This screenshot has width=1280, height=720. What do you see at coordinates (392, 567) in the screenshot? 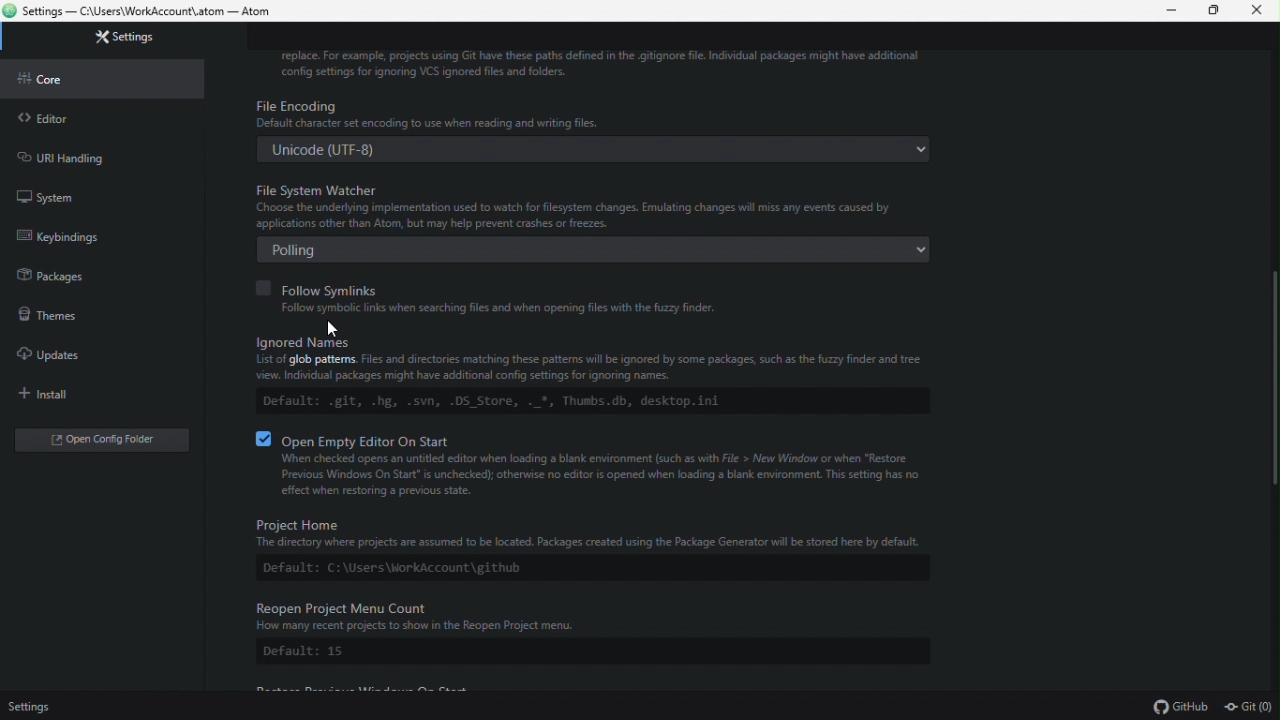
I see `Default: C:\Users\WorkAccount\github` at bounding box center [392, 567].